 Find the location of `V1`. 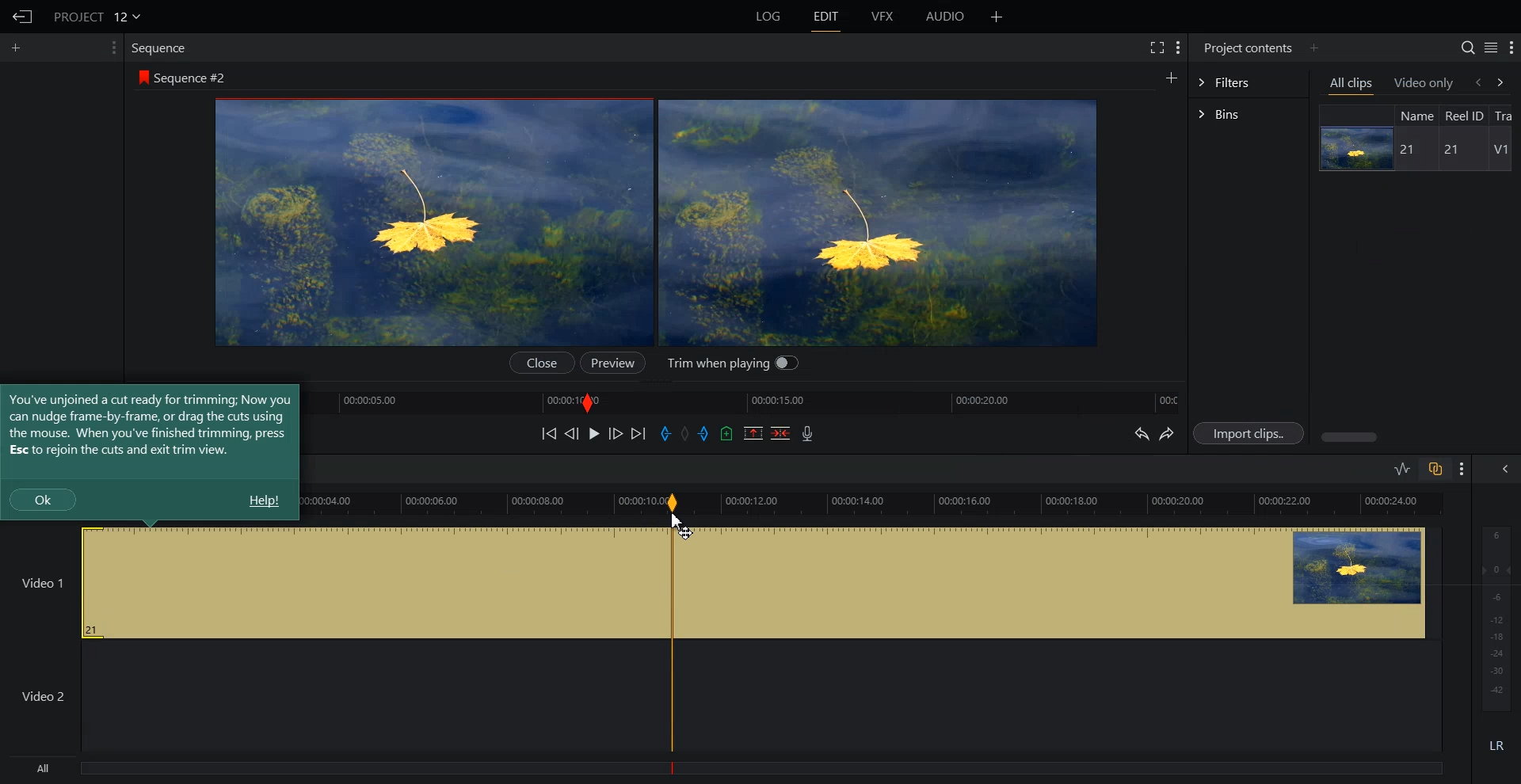

V1 is located at coordinates (1500, 150).